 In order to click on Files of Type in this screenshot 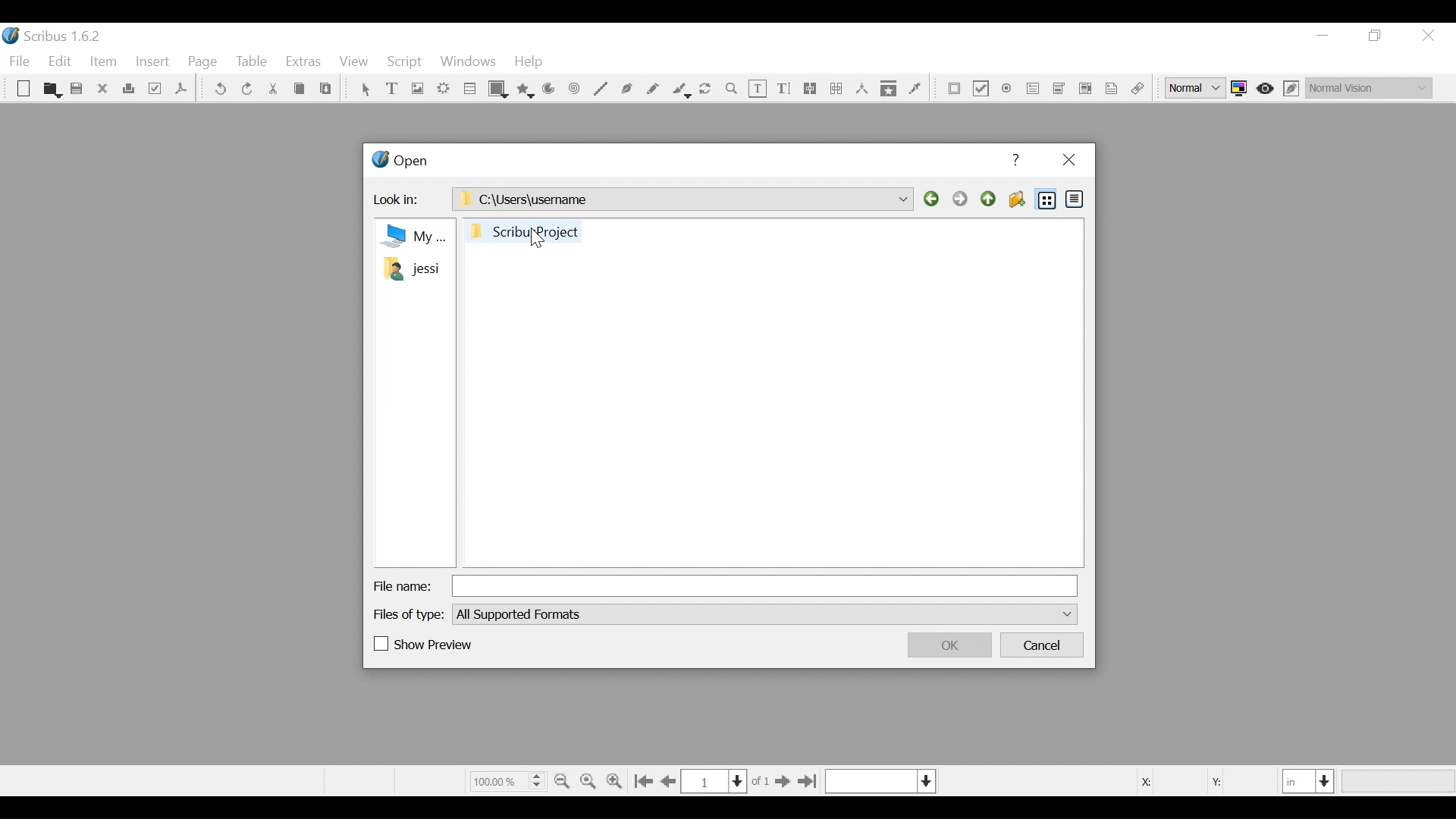, I will do `click(410, 613)`.